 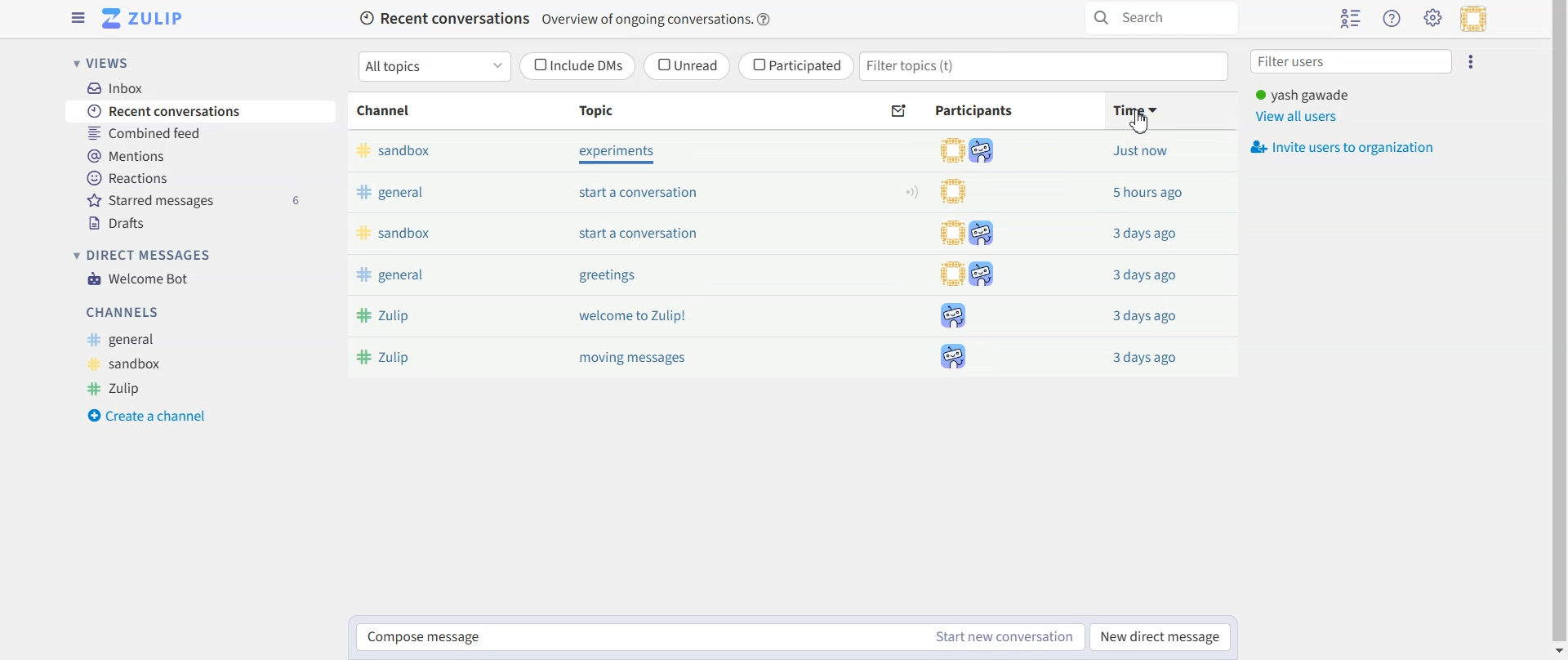 I want to click on 3daysago, so click(x=1145, y=274).